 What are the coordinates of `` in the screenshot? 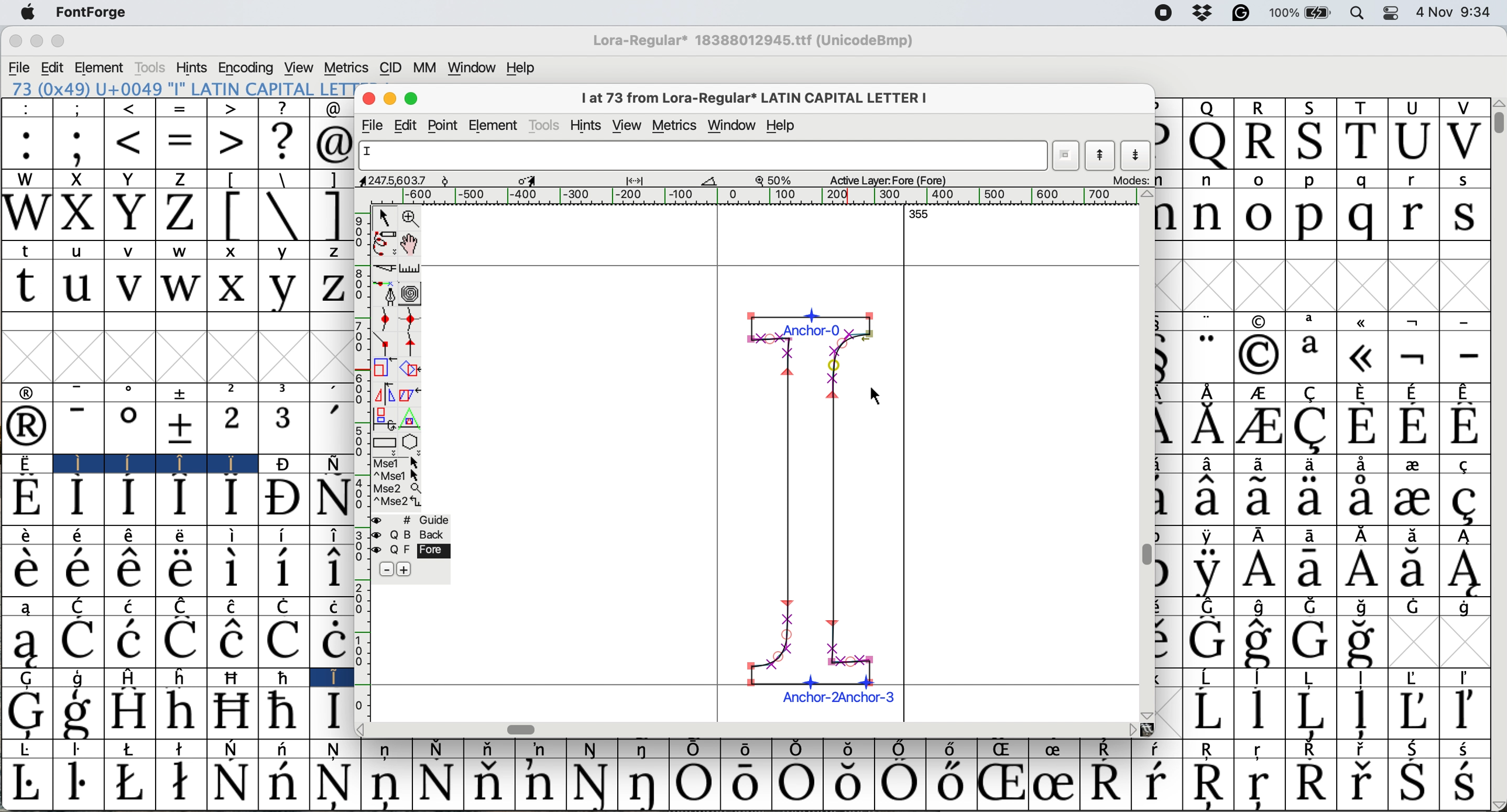 It's located at (528, 180).